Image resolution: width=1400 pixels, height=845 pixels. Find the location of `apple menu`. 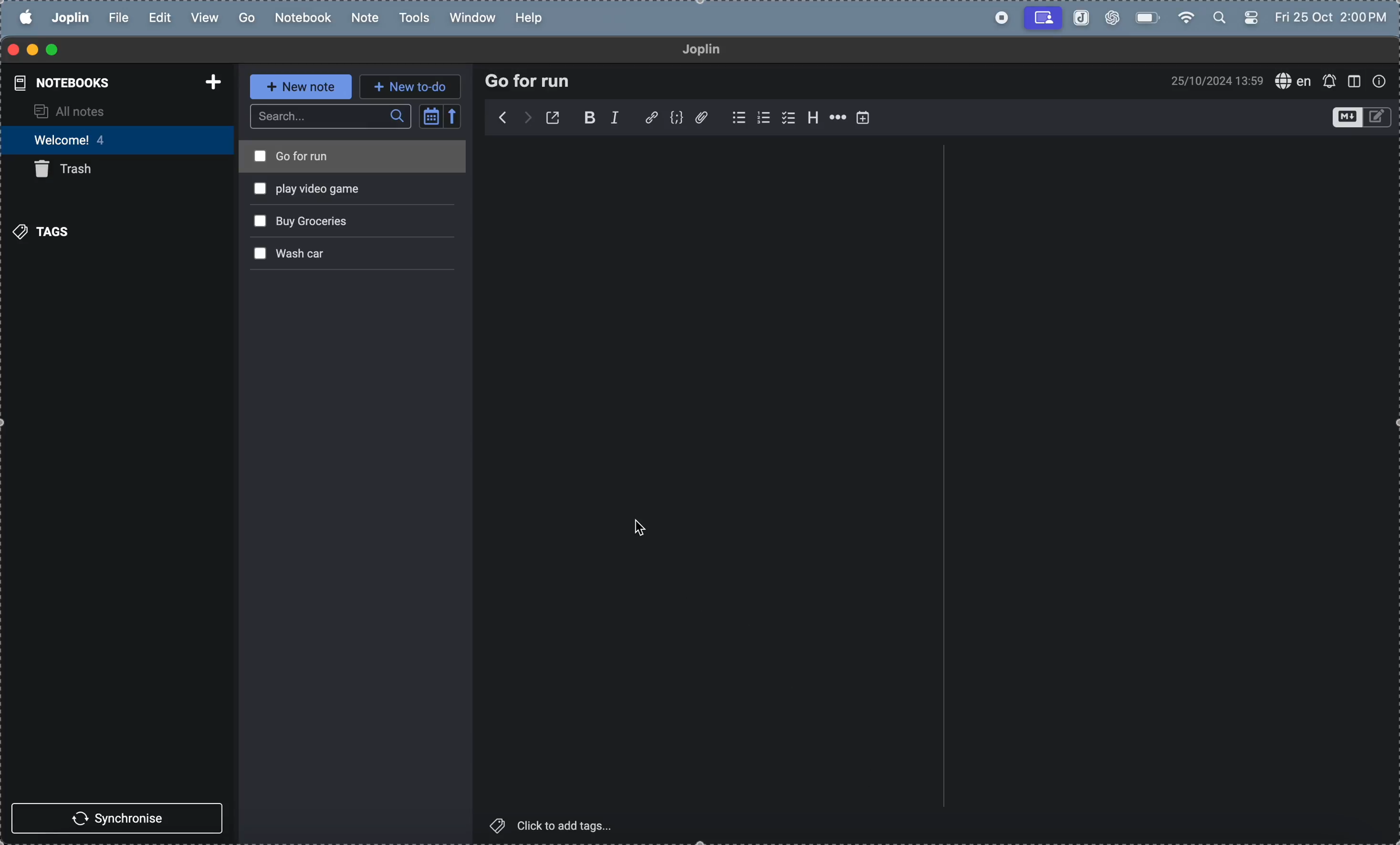

apple menu is located at coordinates (23, 15).